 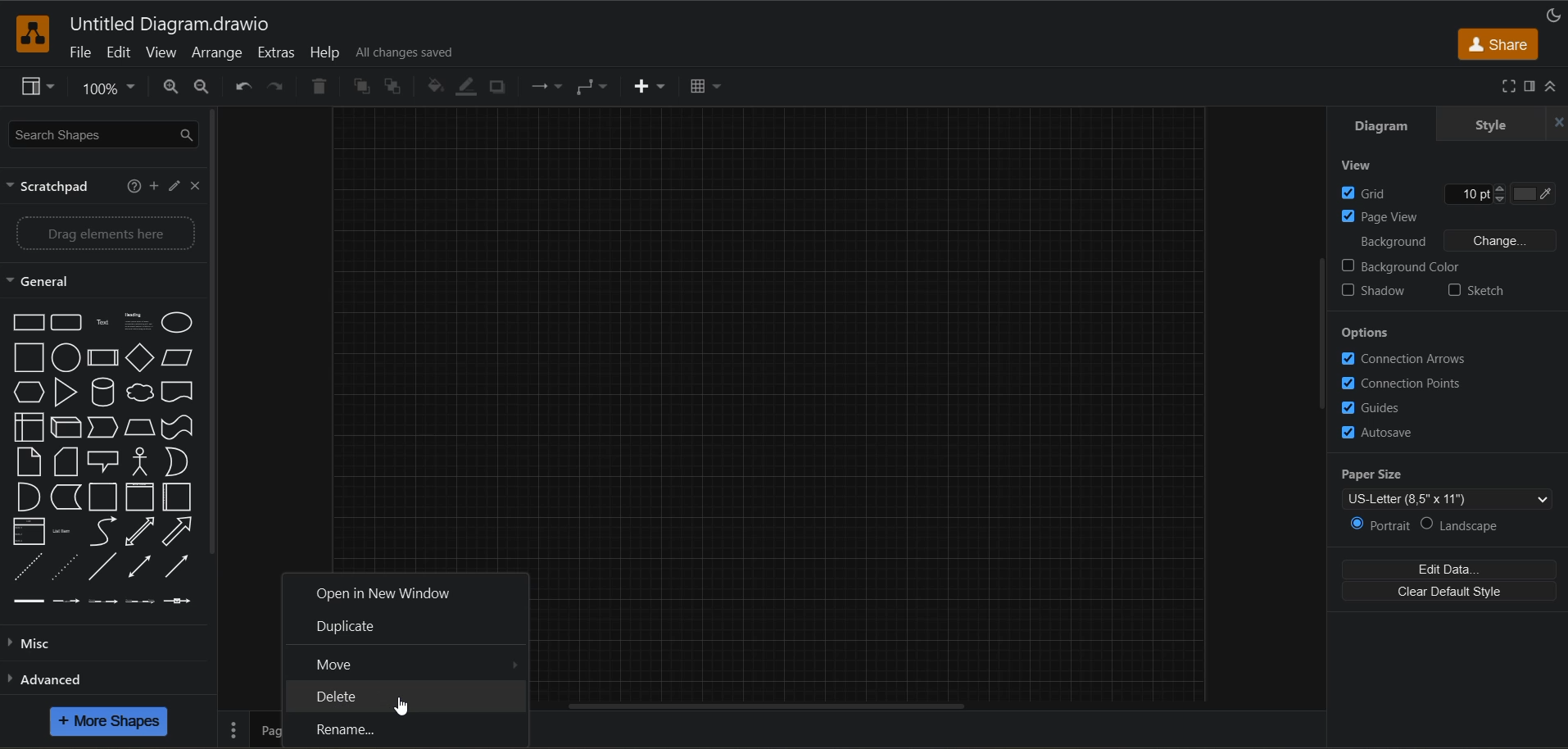 What do you see at coordinates (338, 665) in the screenshot?
I see `move` at bounding box center [338, 665].